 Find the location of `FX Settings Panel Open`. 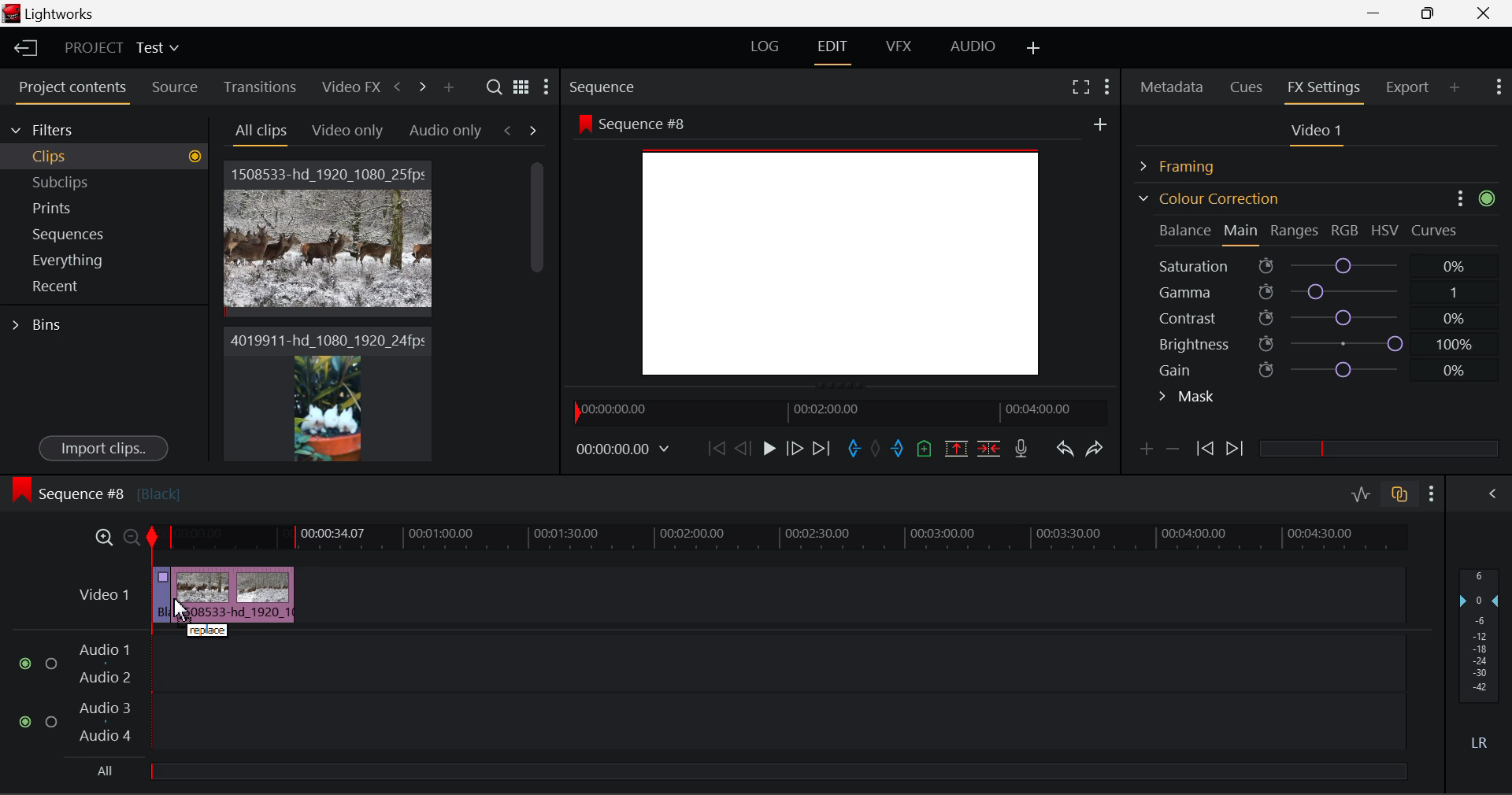

FX Settings Panel Open is located at coordinates (1325, 89).